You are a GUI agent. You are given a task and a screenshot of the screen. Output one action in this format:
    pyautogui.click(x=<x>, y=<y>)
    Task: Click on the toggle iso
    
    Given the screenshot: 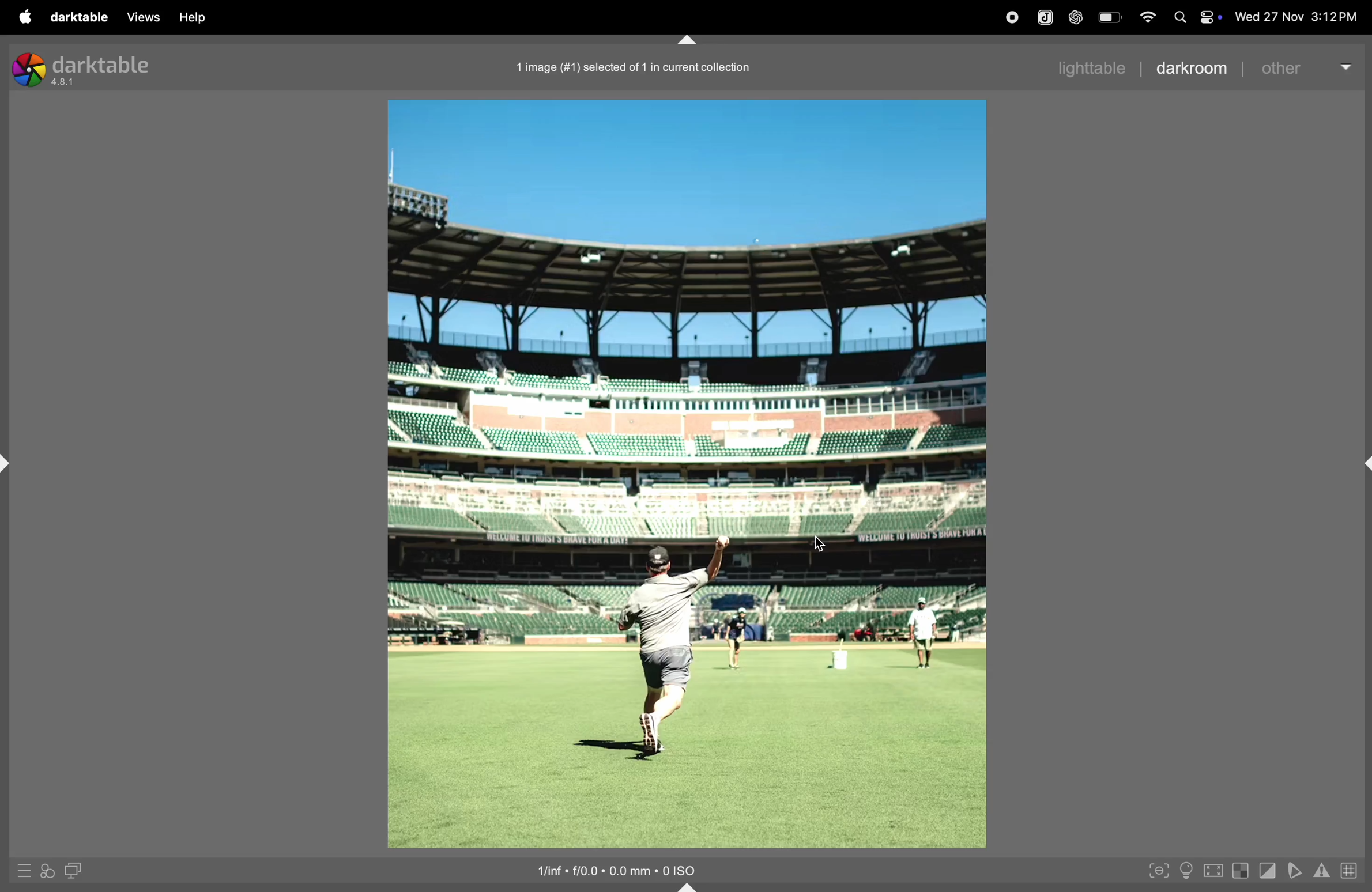 What is the action you would take?
    pyautogui.click(x=1186, y=870)
    